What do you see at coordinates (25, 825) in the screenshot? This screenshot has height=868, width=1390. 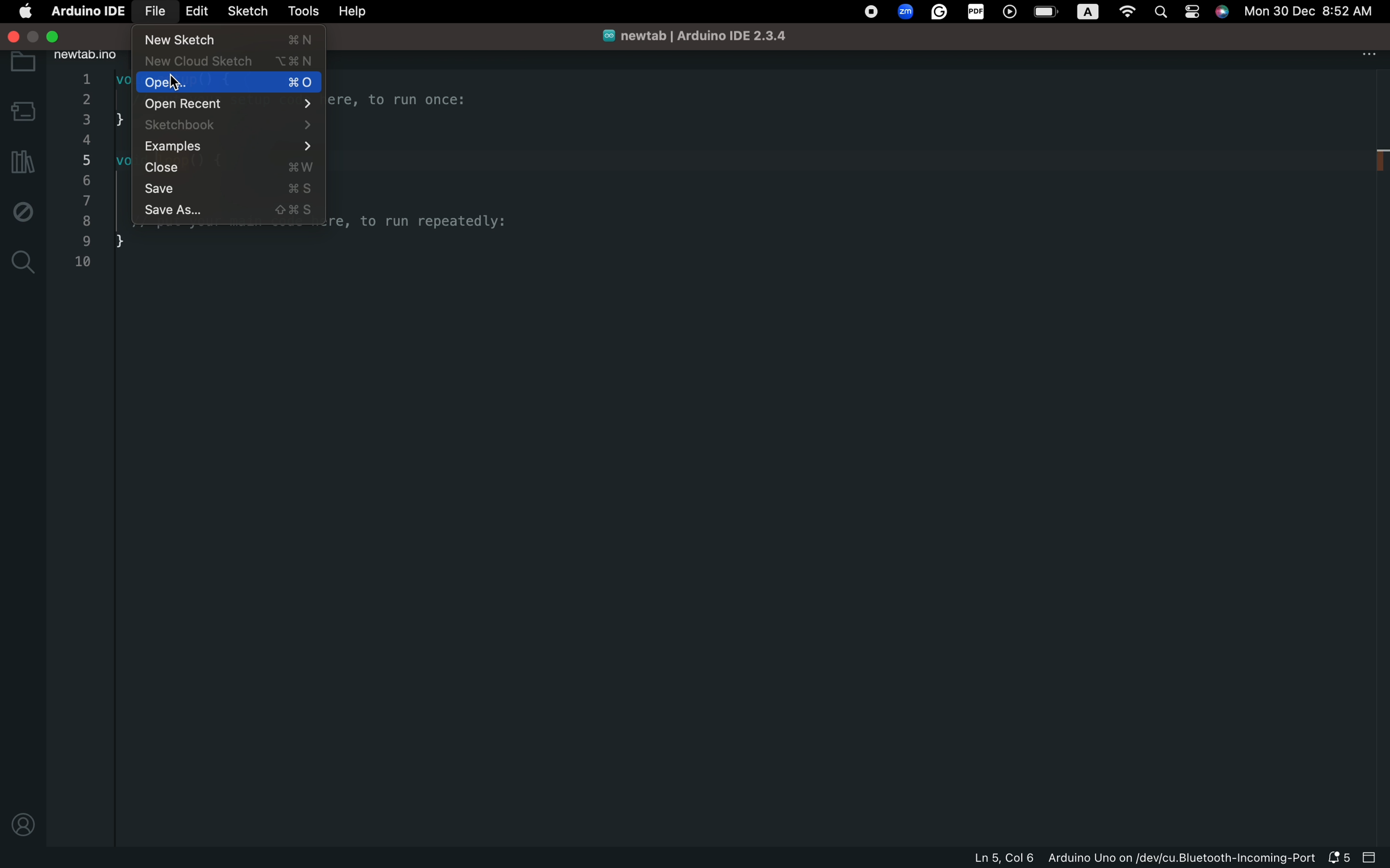 I see `profile` at bounding box center [25, 825].